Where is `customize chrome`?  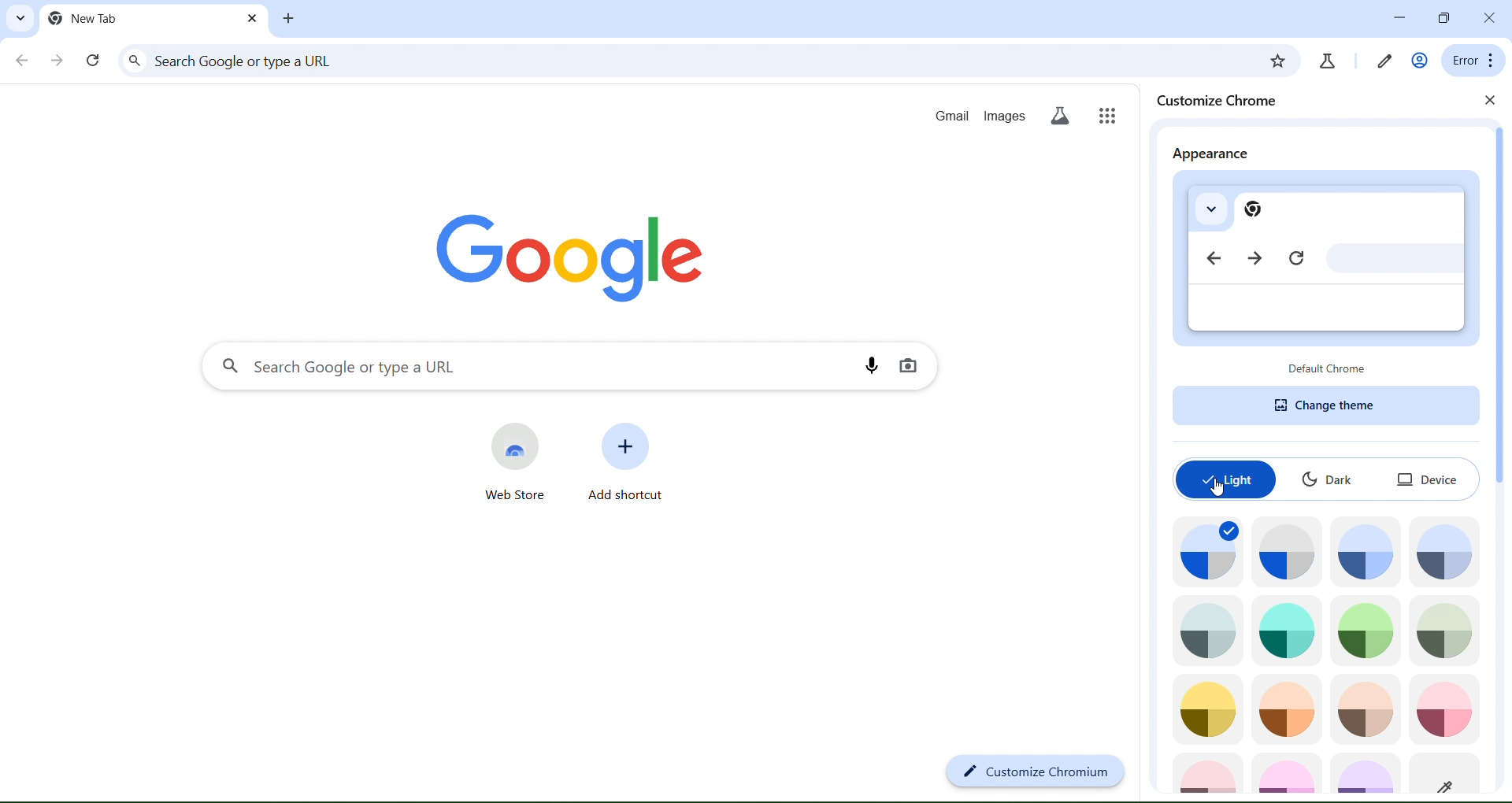
customize chrome is located at coordinates (1225, 101).